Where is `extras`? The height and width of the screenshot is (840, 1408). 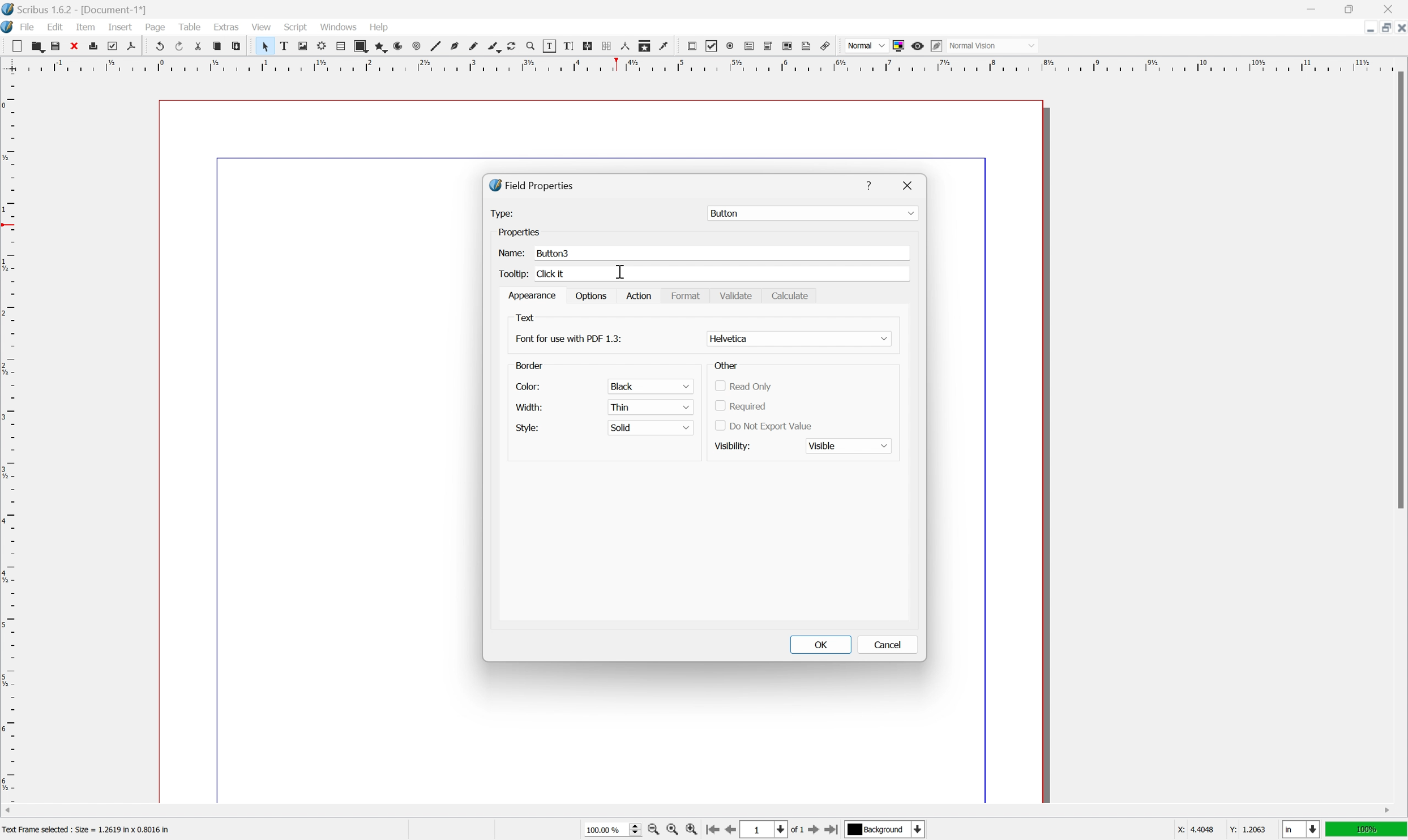 extras is located at coordinates (227, 27).